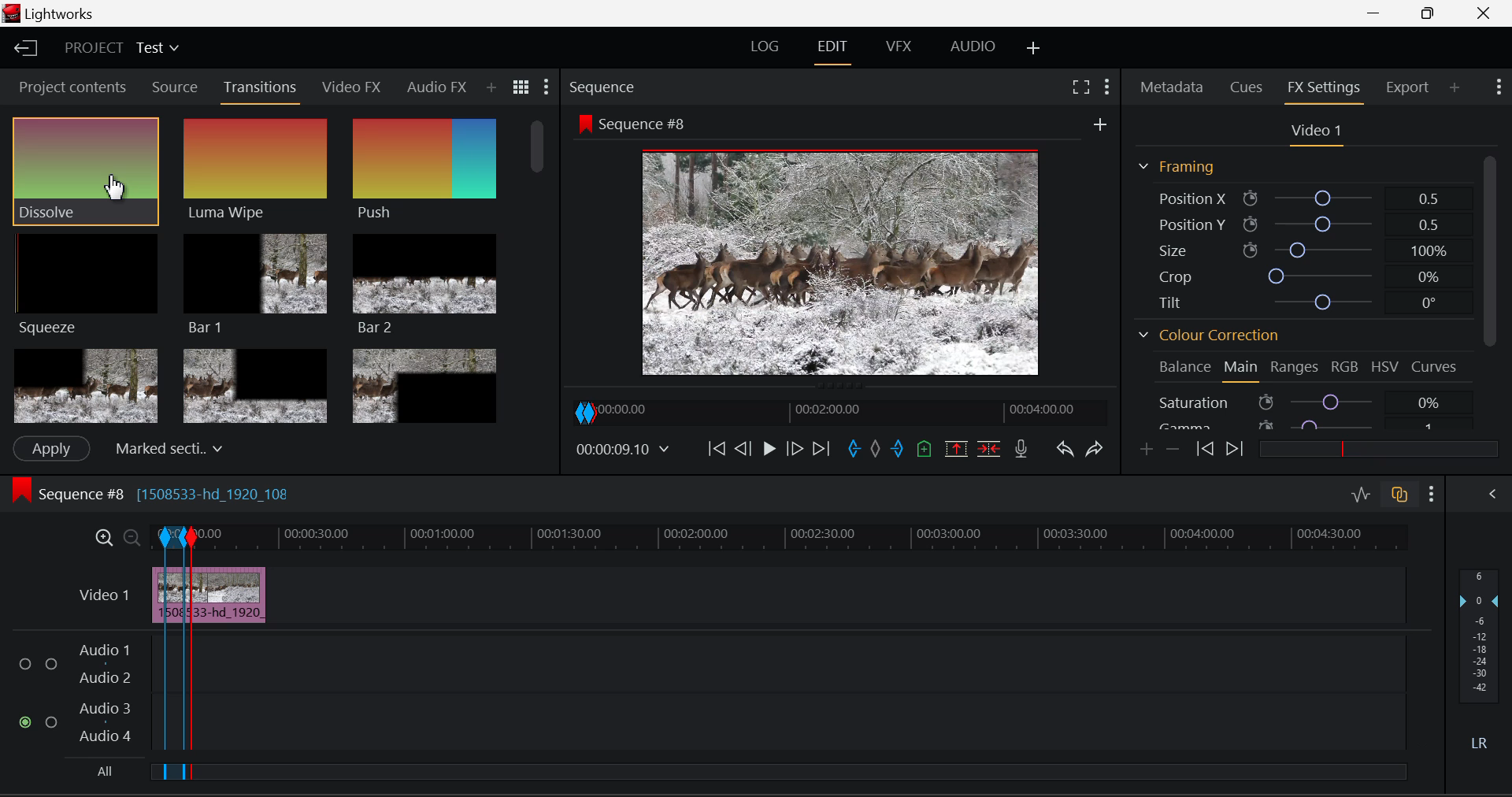  Describe the element at coordinates (113, 190) in the screenshot. I see `Cursor` at that location.